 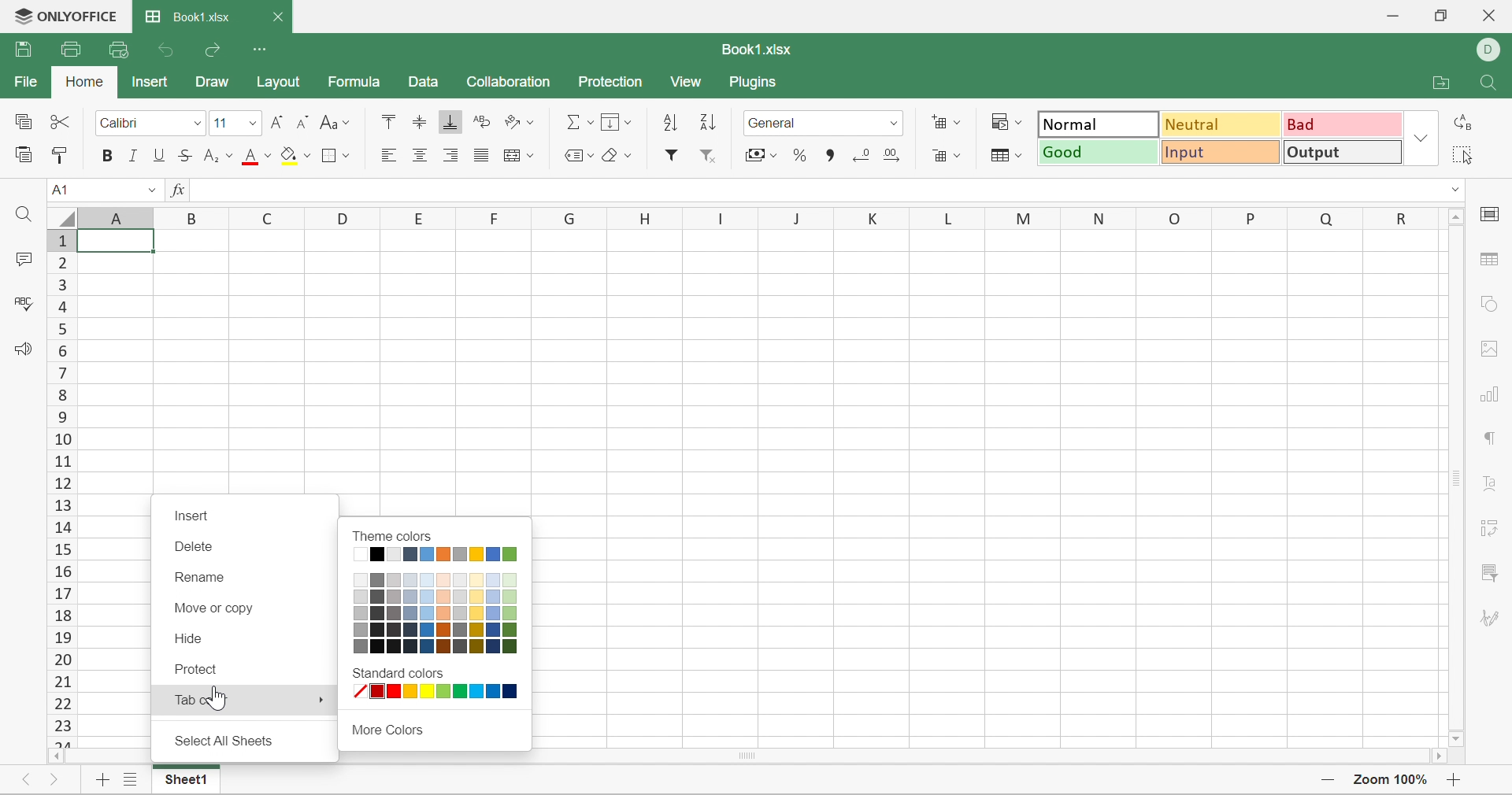 What do you see at coordinates (333, 122) in the screenshot?
I see `Change case` at bounding box center [333, 122].